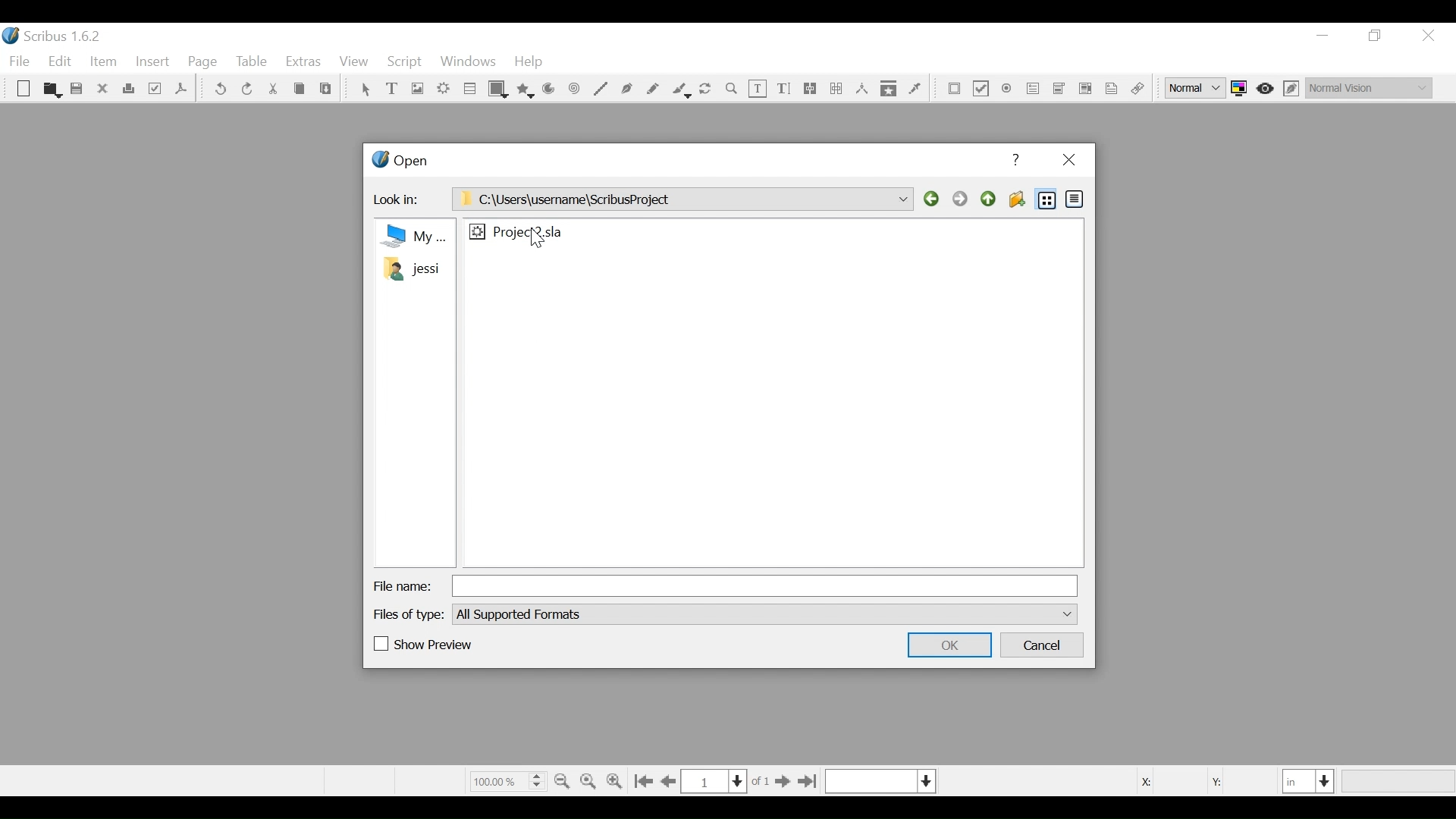 The image size is (1456, 819). Describe the element at coordinates (1073, 198) in the screenshot. I see `Detail View` at that location.